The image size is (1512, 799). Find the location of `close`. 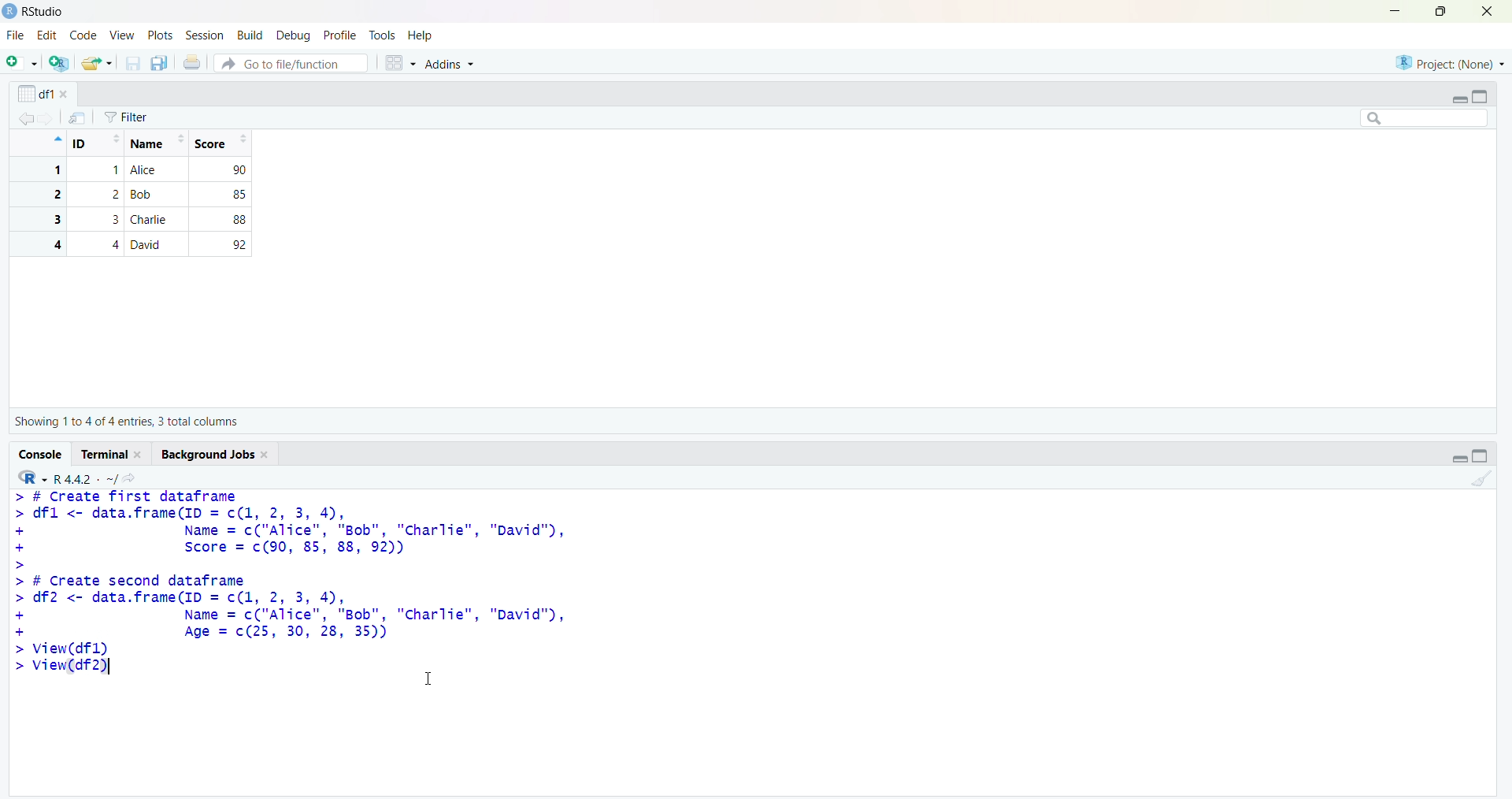

close is located at coordinates (140, 455).